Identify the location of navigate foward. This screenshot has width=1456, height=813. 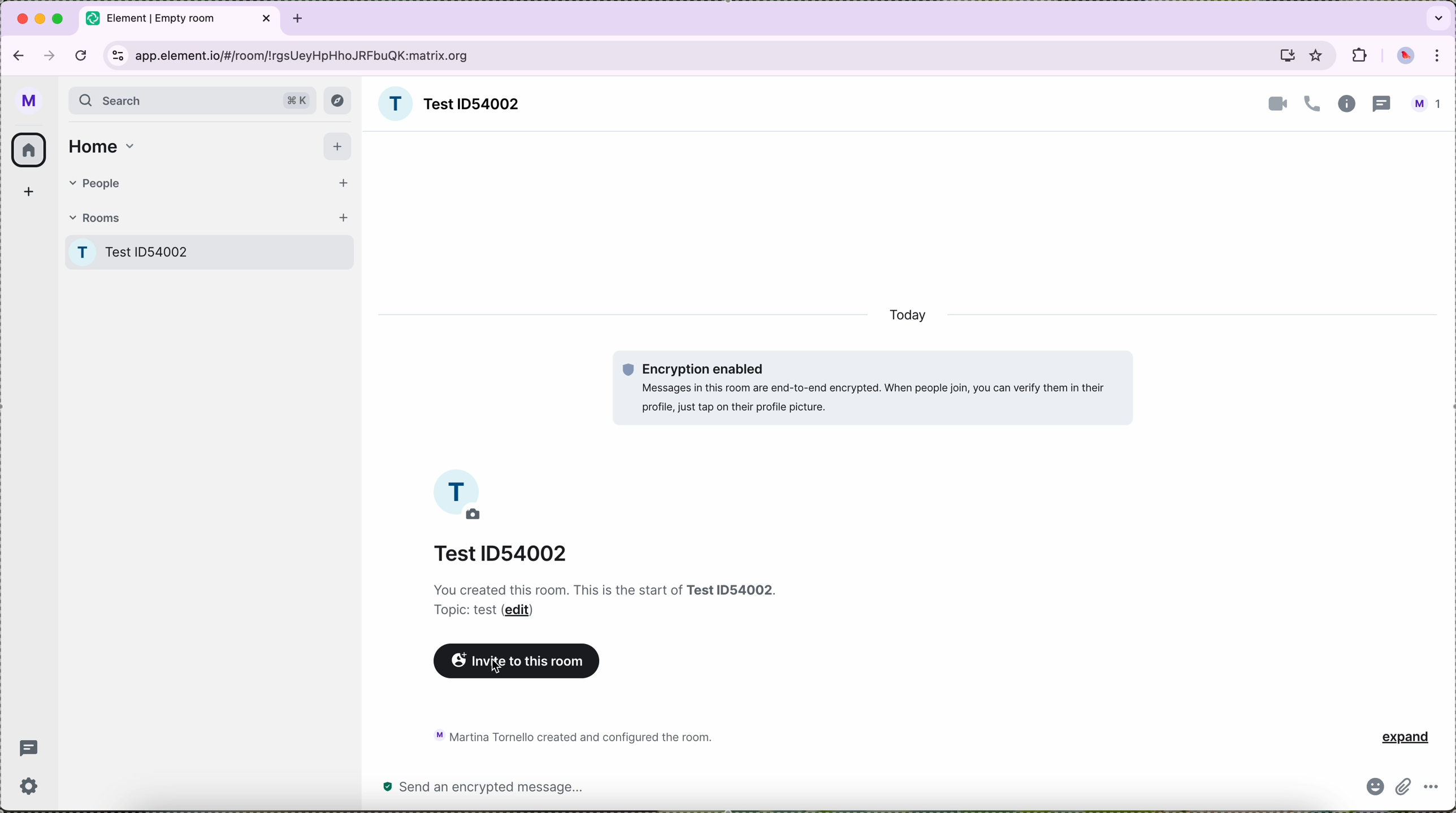
(48, 56).